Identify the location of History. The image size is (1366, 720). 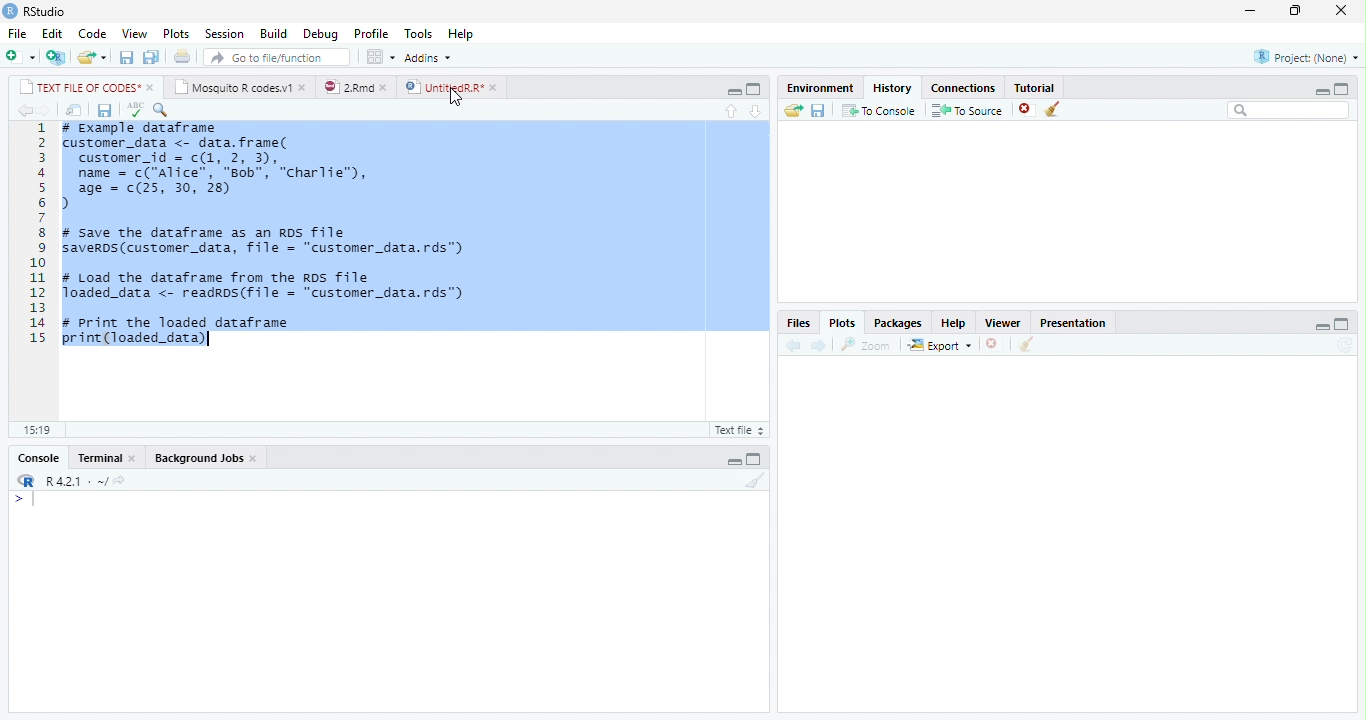
(892, 87).